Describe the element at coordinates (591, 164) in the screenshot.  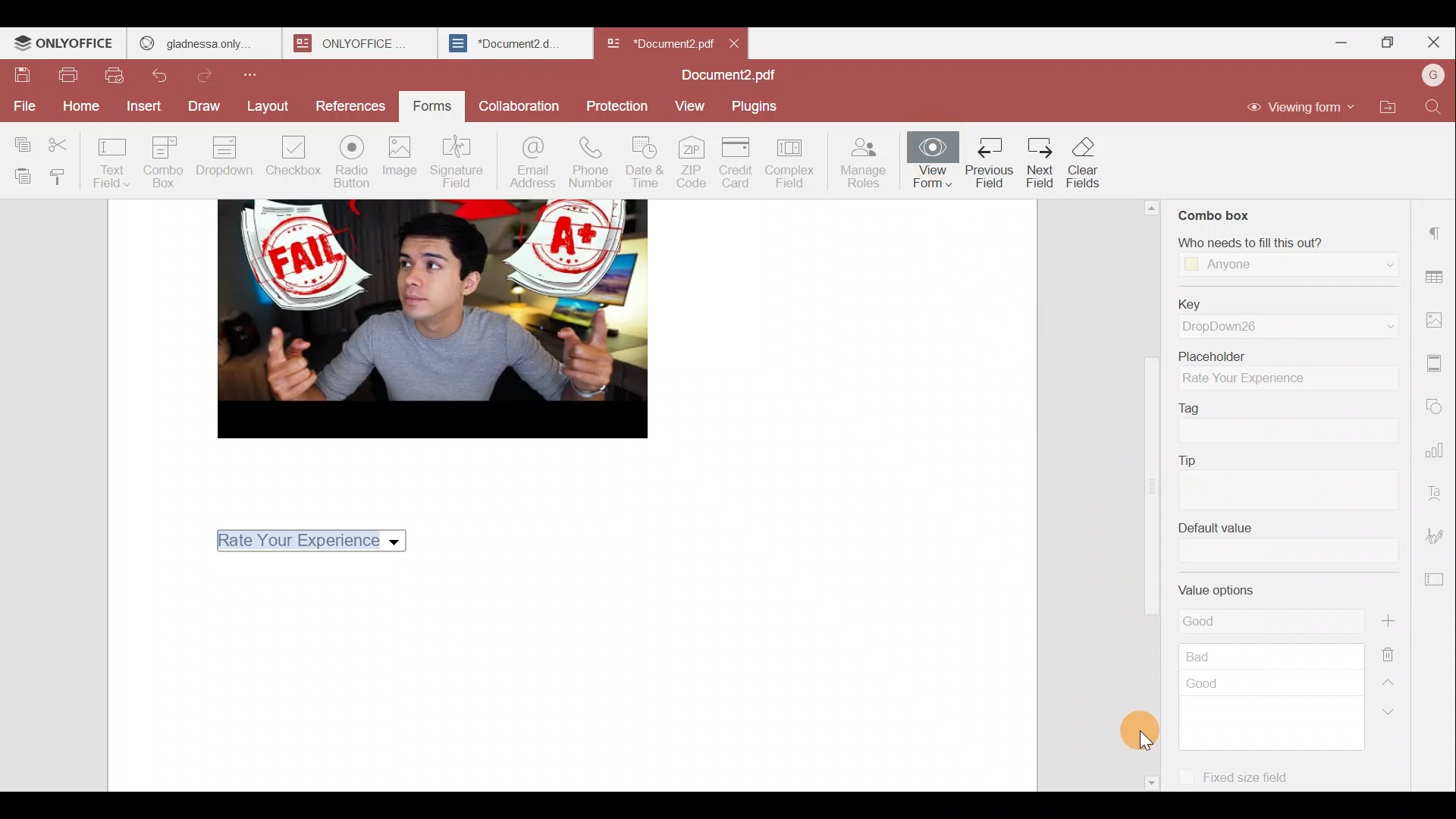
I see `Phone number` at that location.